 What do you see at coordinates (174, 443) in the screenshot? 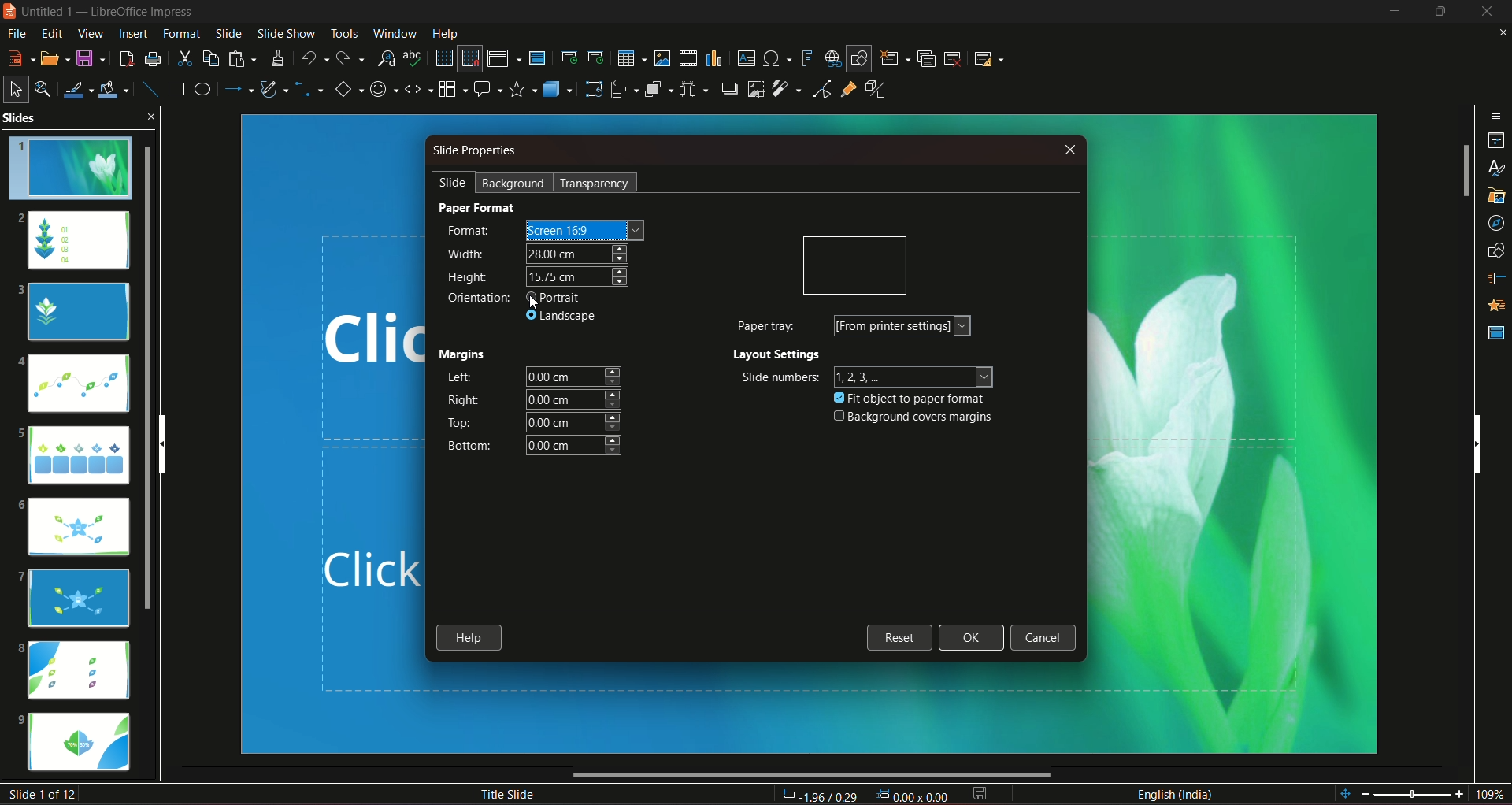
I see `vertical scroll` at bounding box center [174, 443].